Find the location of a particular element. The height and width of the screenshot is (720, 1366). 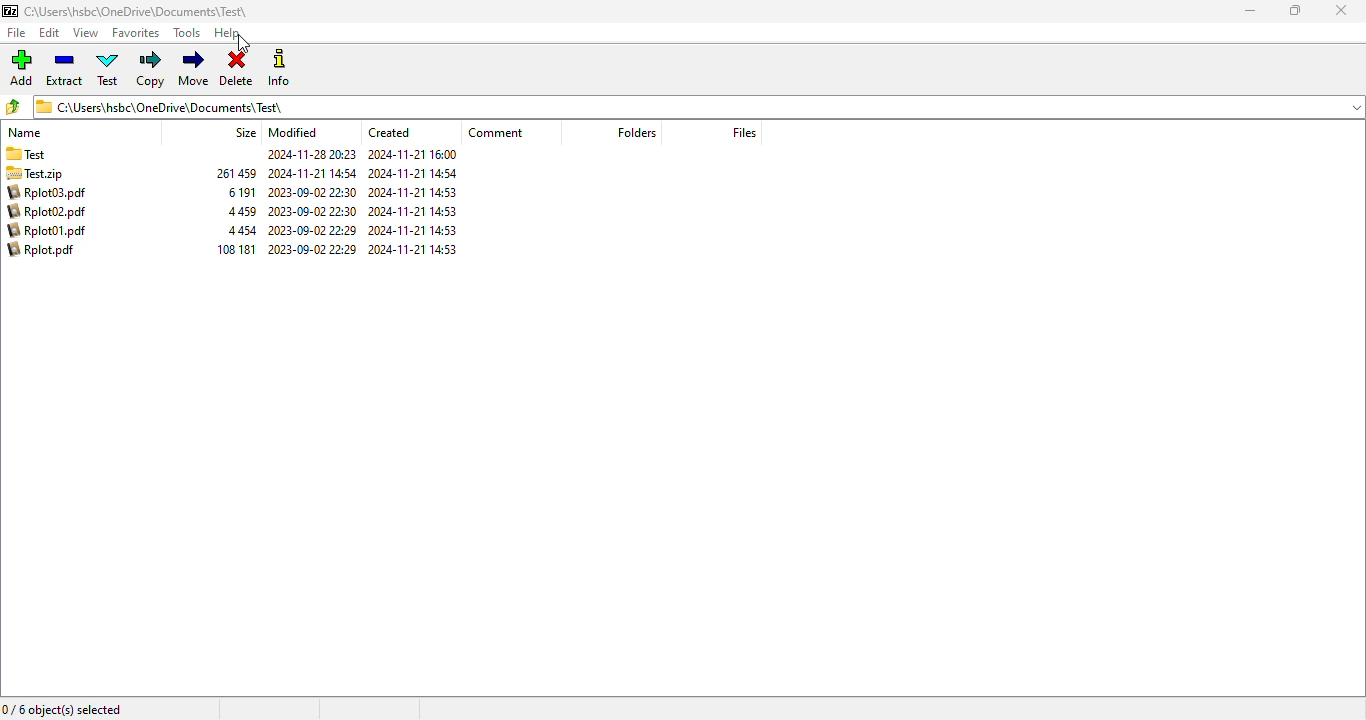

2024-11-21 14:54 is located at coordinates (415, 174).